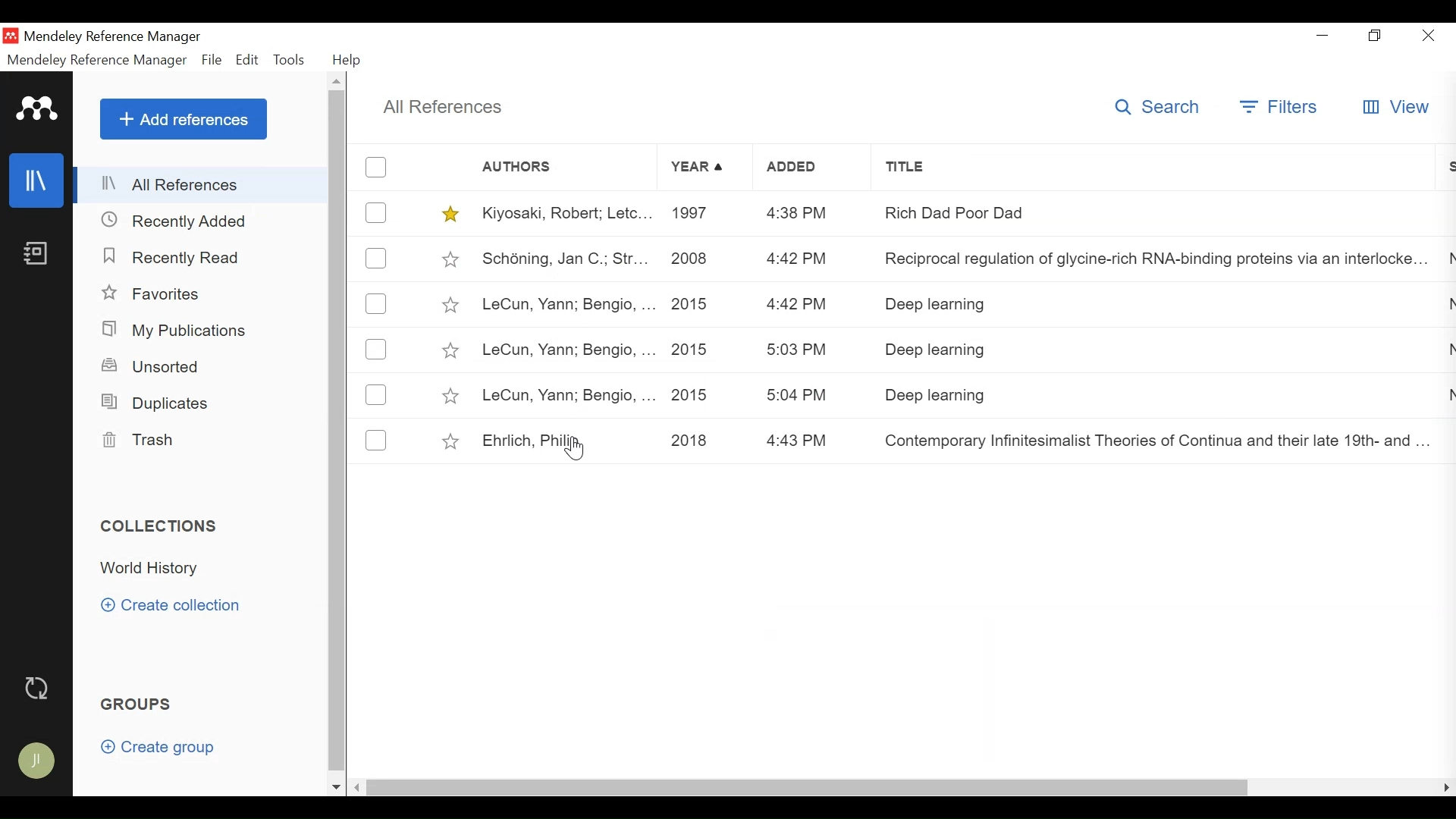  Describe the element at coordinates (566, 350) in the screenshot. I see `LeCun, Yann; Bengio, ...` at that location.